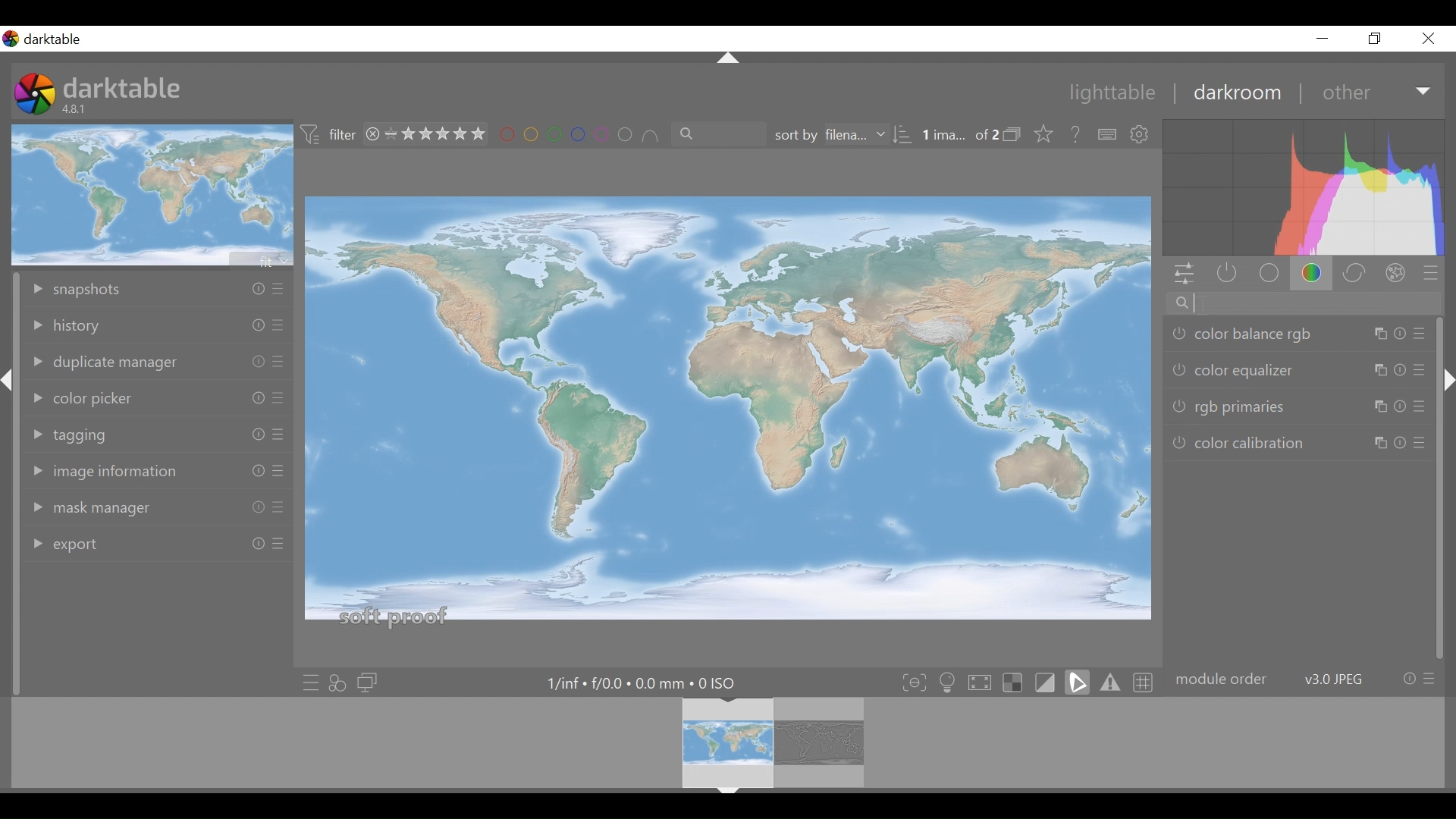  I want to click on toggle gamut checking, so click(1111, 682).